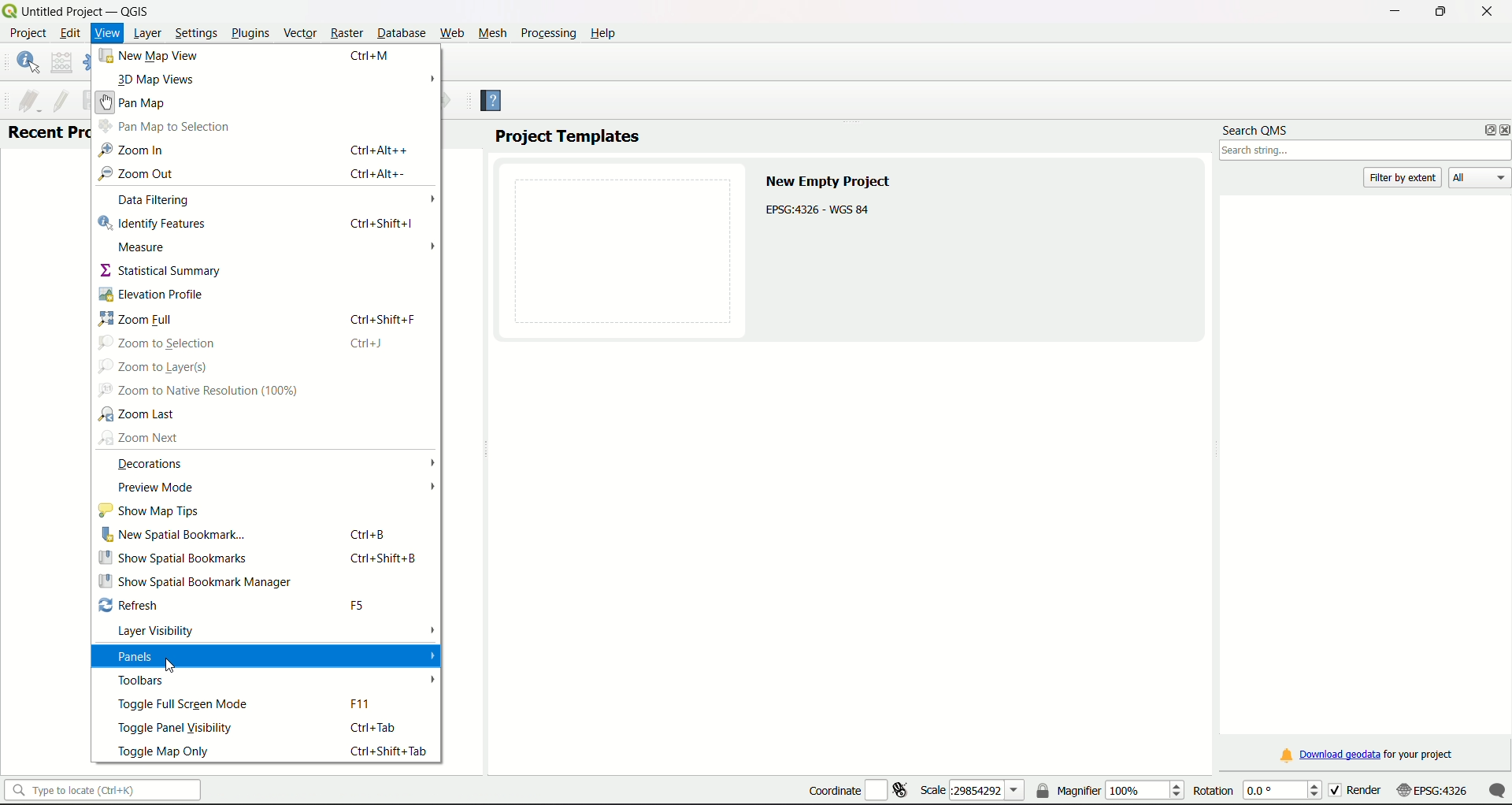  What do you see at coordinates (150, 466) in the screenshot?
I see `decorations` at bounding box center [150, 466].